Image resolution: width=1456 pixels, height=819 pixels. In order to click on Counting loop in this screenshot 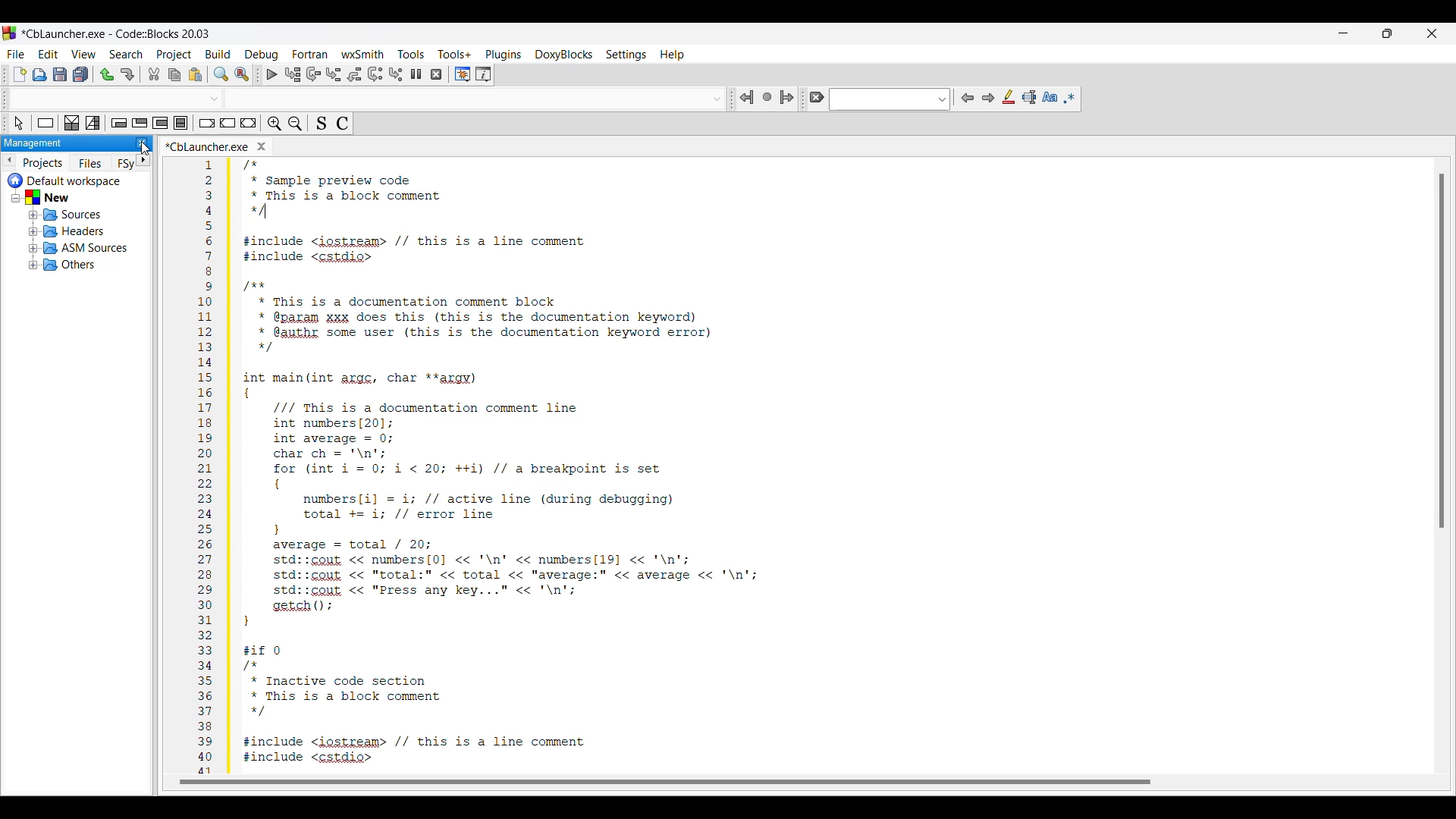, I will do `click(160, 123)`.